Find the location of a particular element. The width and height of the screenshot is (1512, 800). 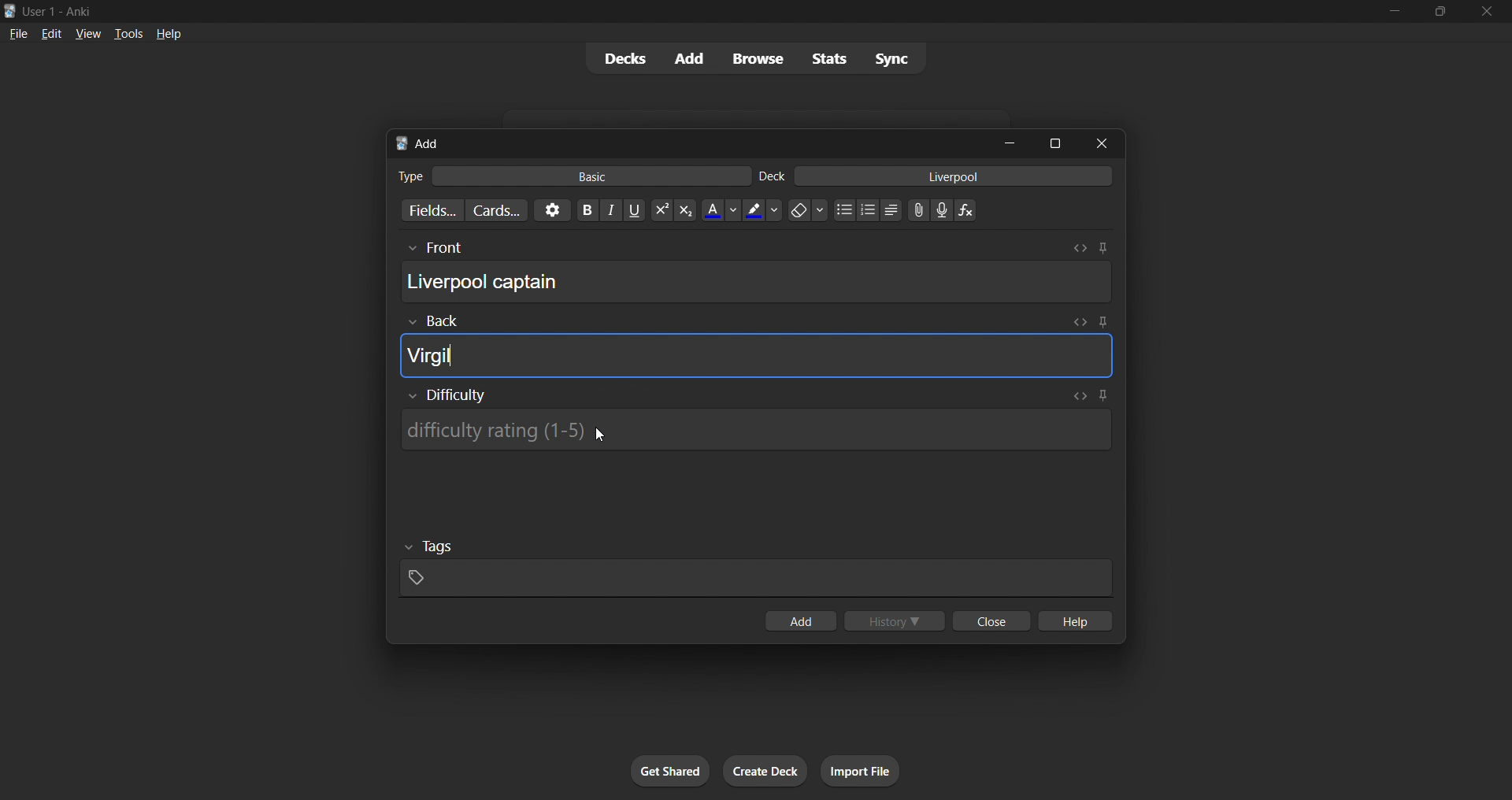

 is located at coordinates (434, 249).